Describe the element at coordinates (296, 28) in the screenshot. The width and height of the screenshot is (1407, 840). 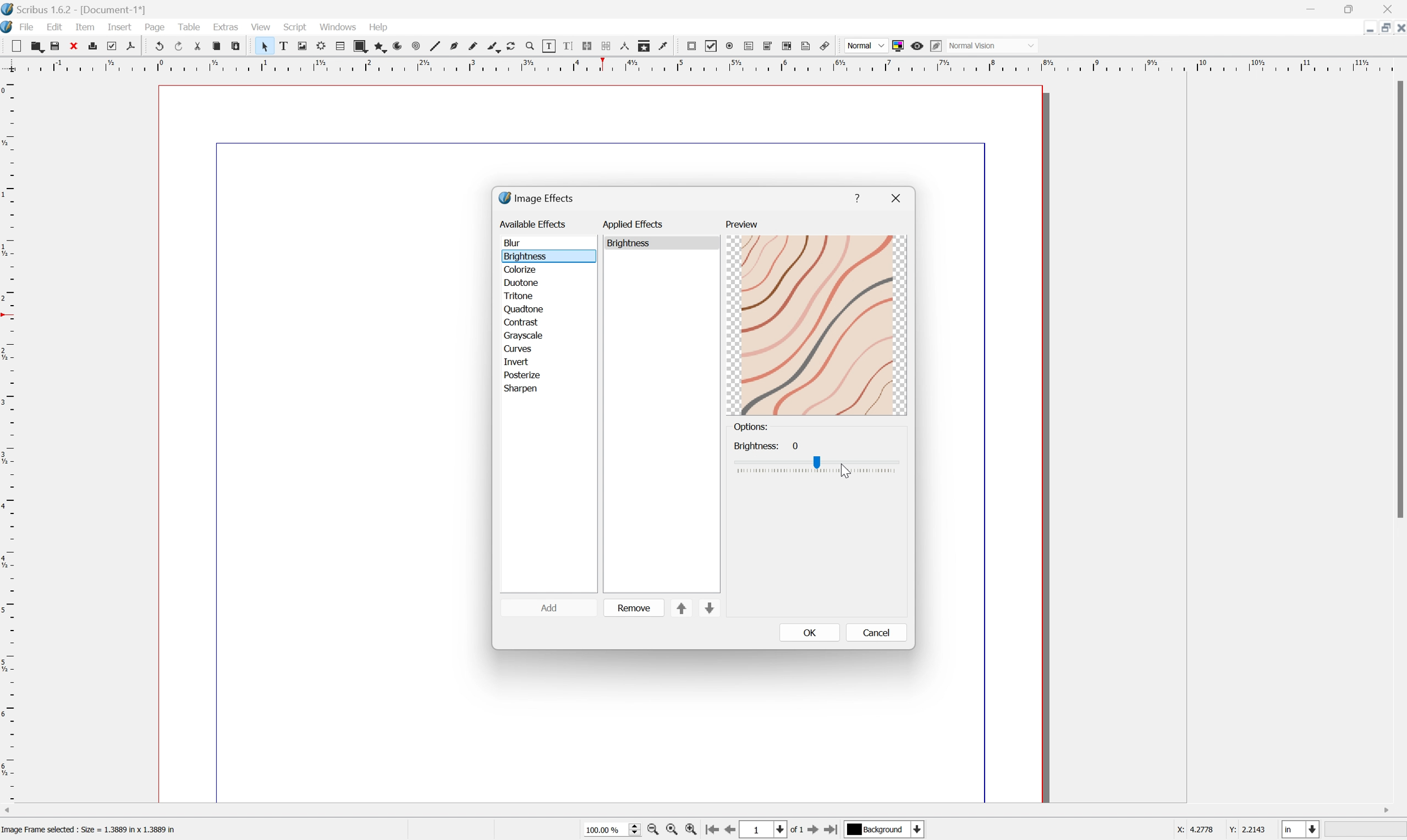
I see `Script` at that location.